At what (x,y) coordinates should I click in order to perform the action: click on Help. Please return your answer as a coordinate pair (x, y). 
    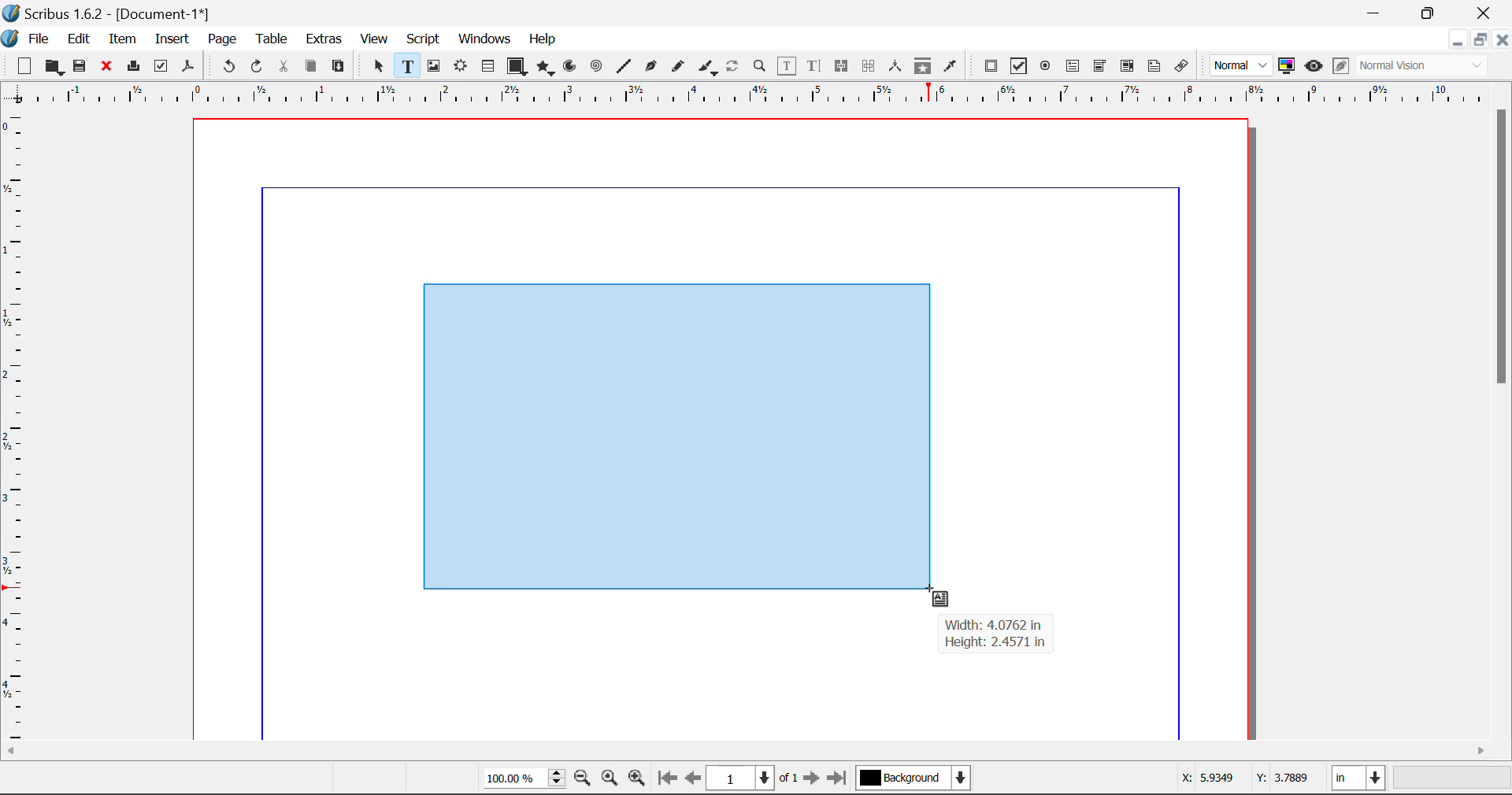
    Looking at the image, I should click on (543, 39).